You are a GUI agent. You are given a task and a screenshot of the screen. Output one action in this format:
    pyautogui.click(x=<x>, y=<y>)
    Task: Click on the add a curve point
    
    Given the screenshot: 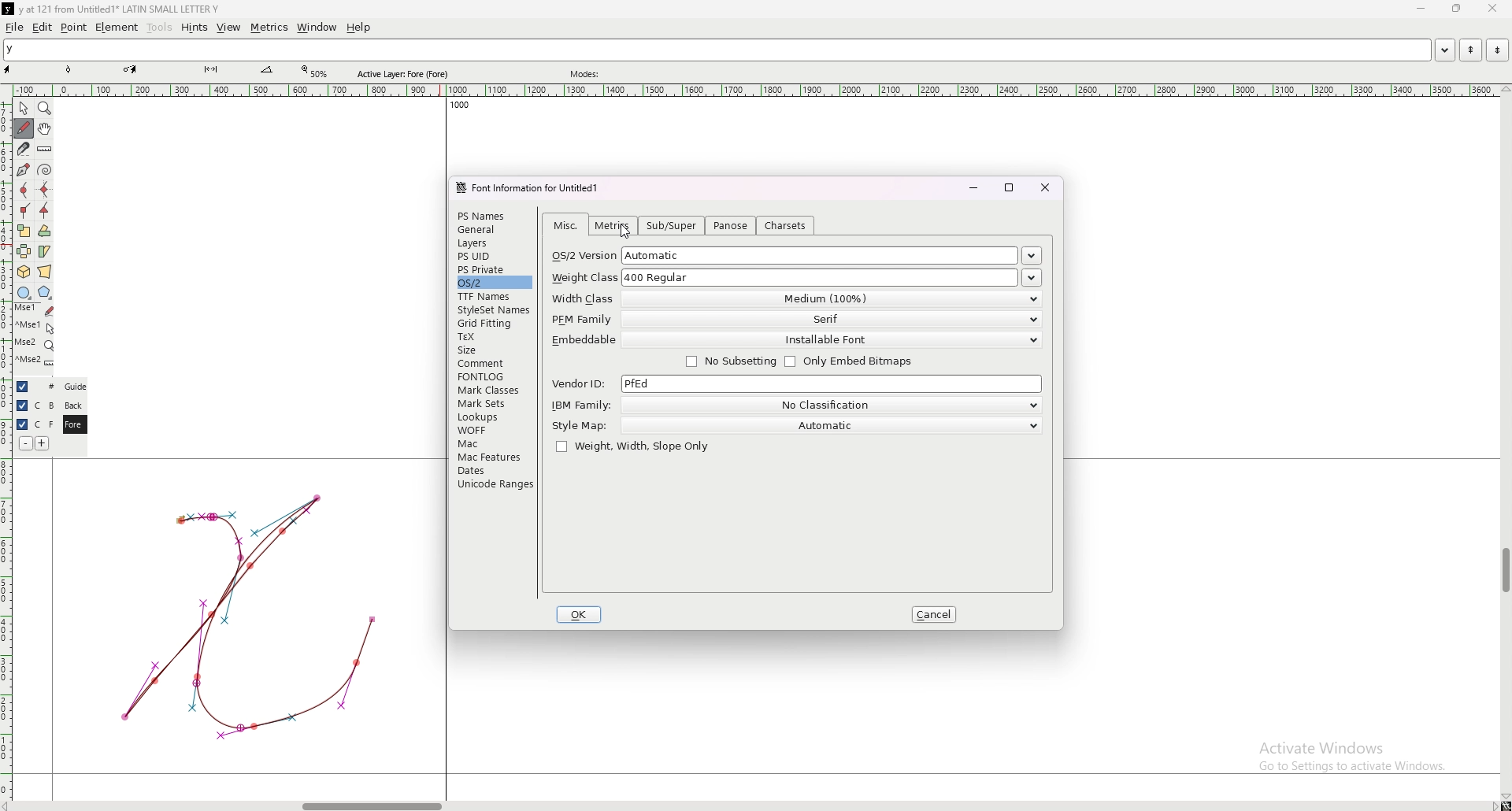 What is the action you would take?
    pyautogui.click(x=24, y=191)
    